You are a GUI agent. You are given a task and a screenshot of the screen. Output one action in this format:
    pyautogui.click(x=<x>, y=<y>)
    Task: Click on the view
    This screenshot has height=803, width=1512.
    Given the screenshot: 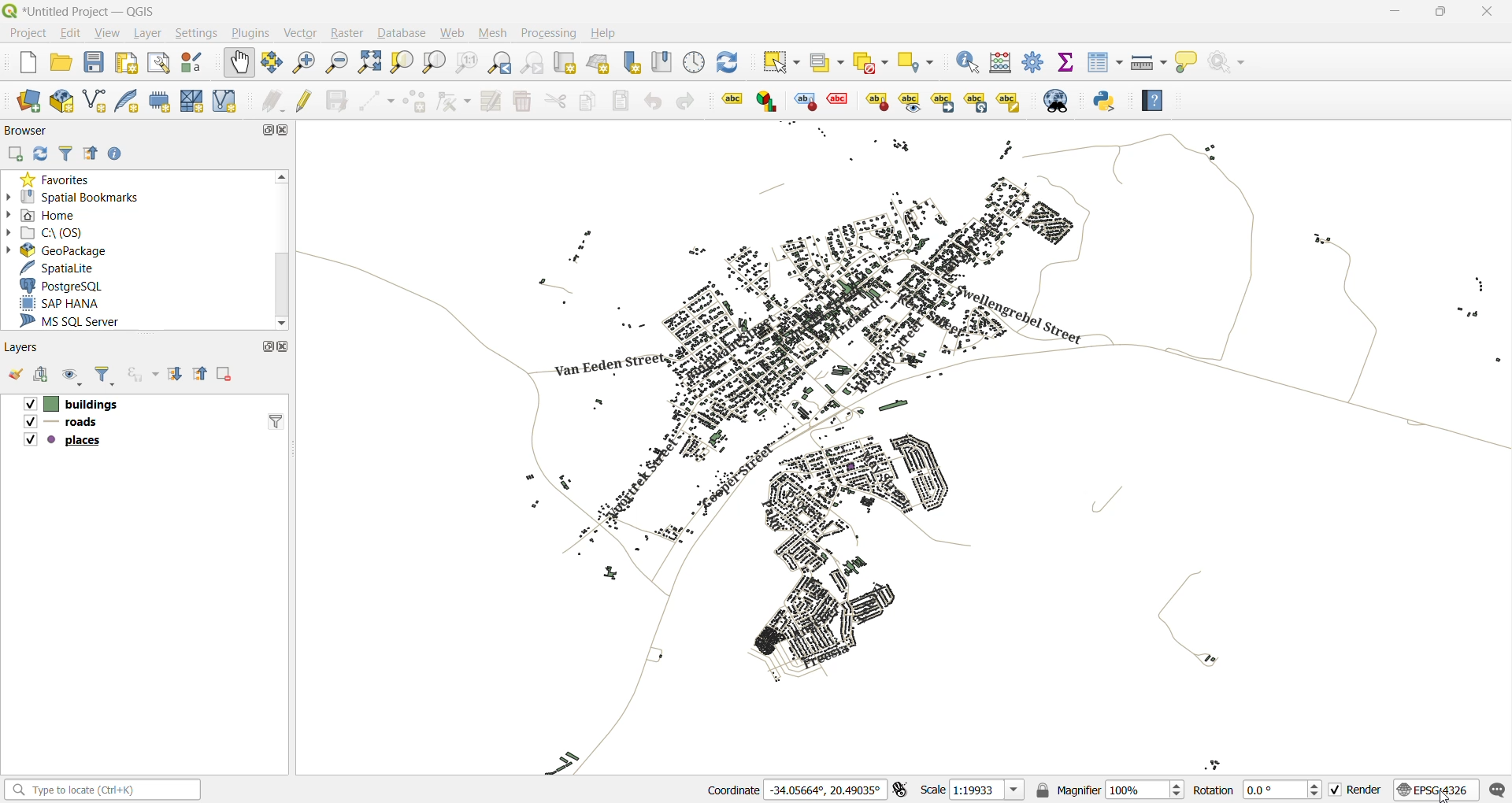 What is the action you would take?
    pyautogui.click(x=109, y=34)
    